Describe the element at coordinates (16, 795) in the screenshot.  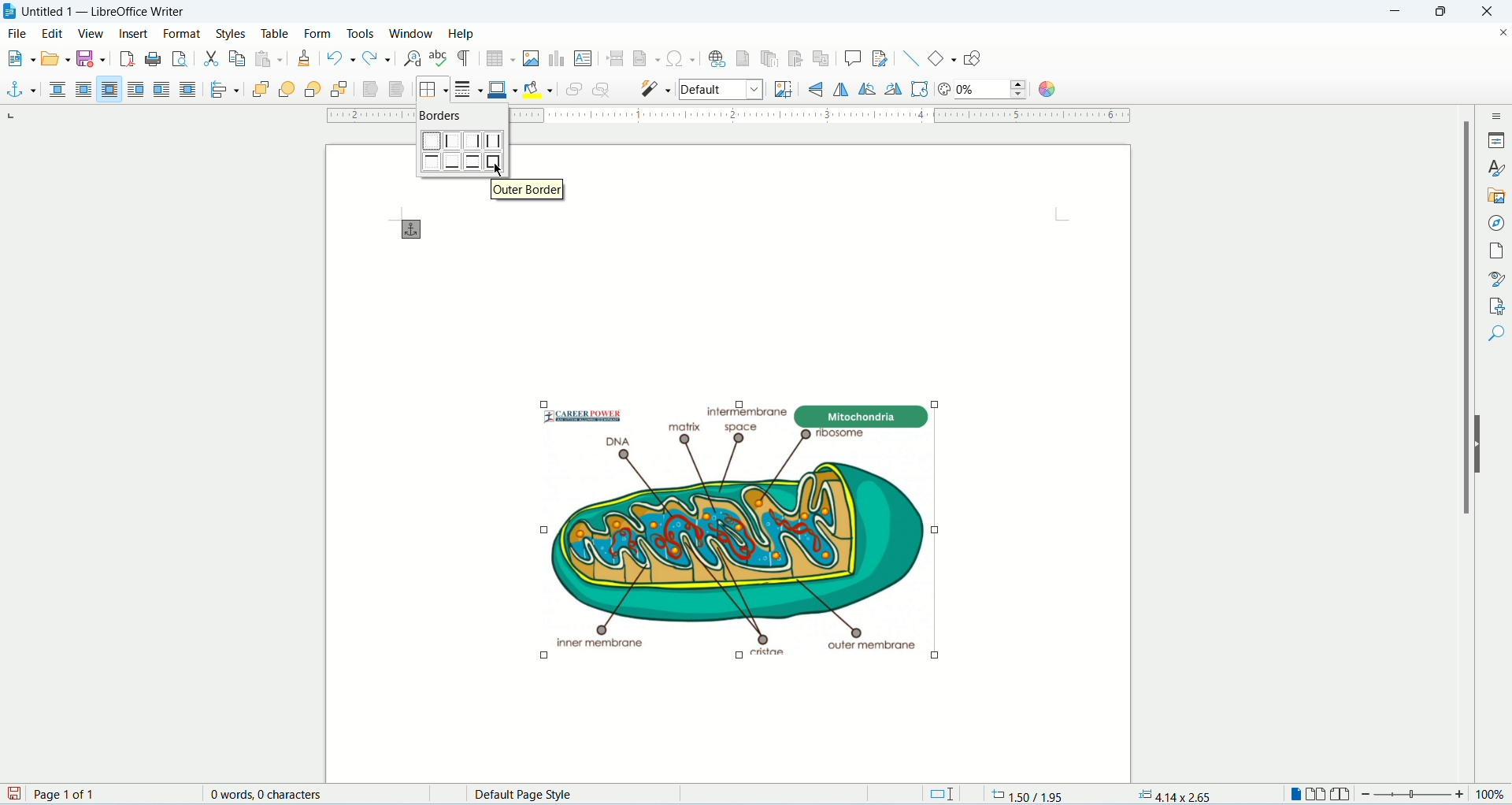
I see `save` at that location.